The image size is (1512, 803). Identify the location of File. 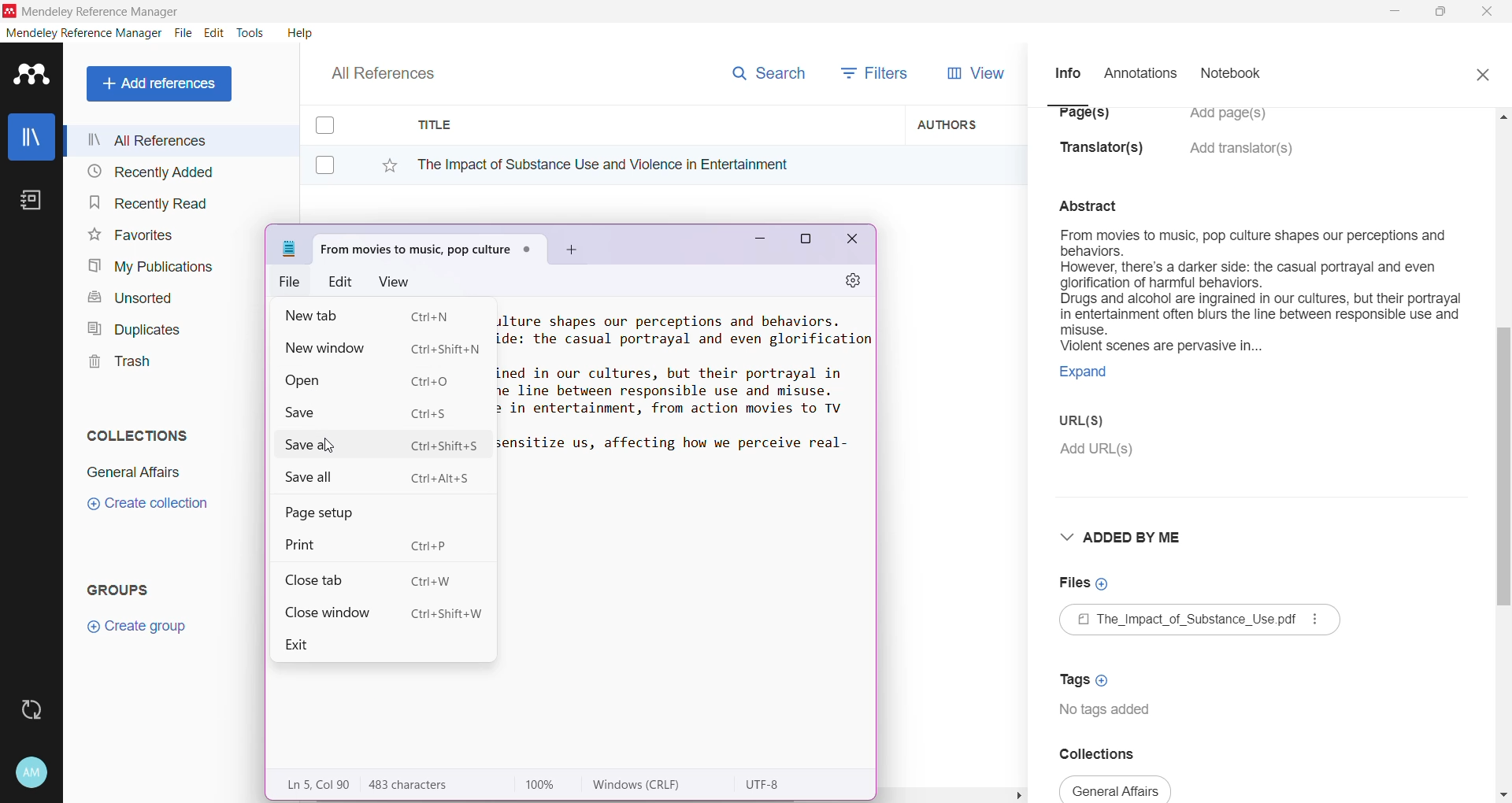
(293, 282).